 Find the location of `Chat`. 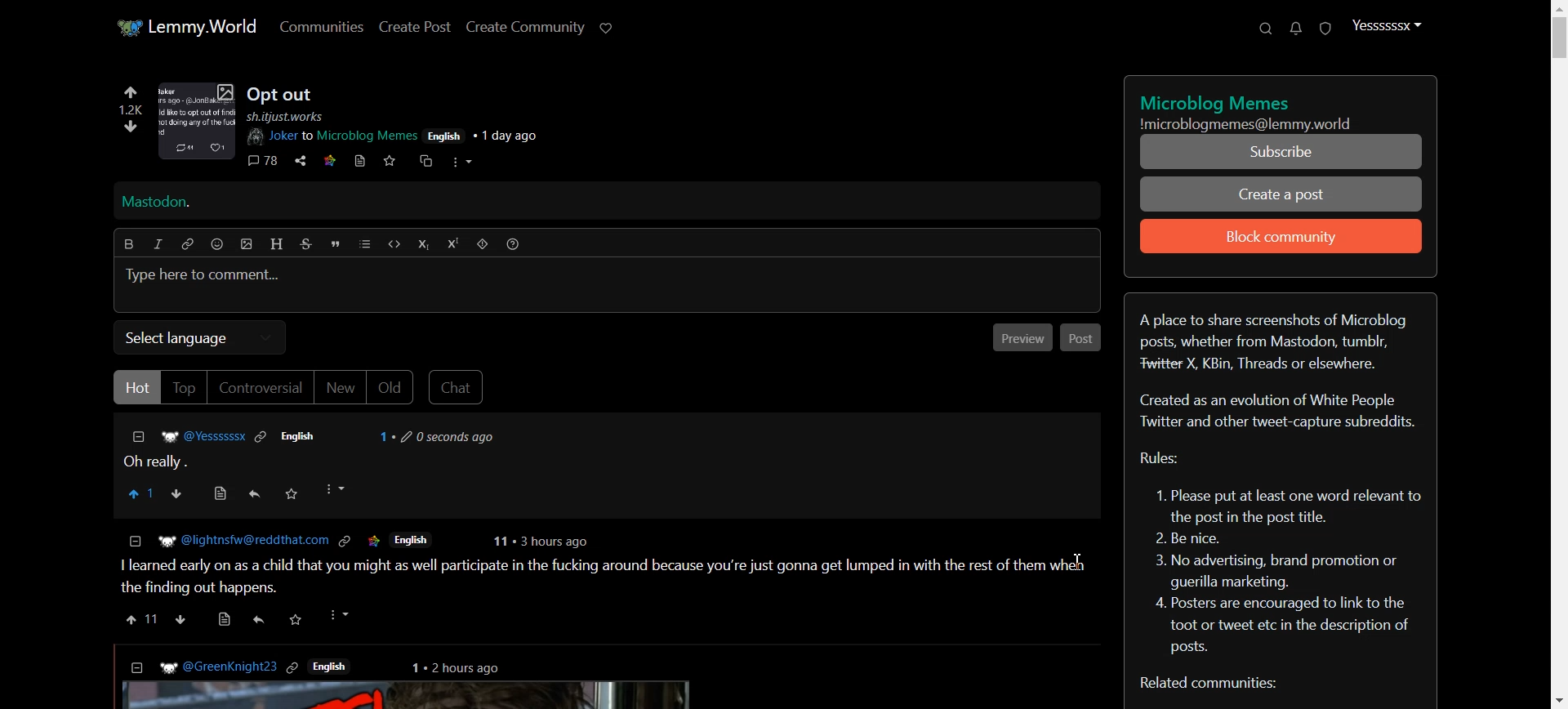

Chat is located at coordinates (460, 386).